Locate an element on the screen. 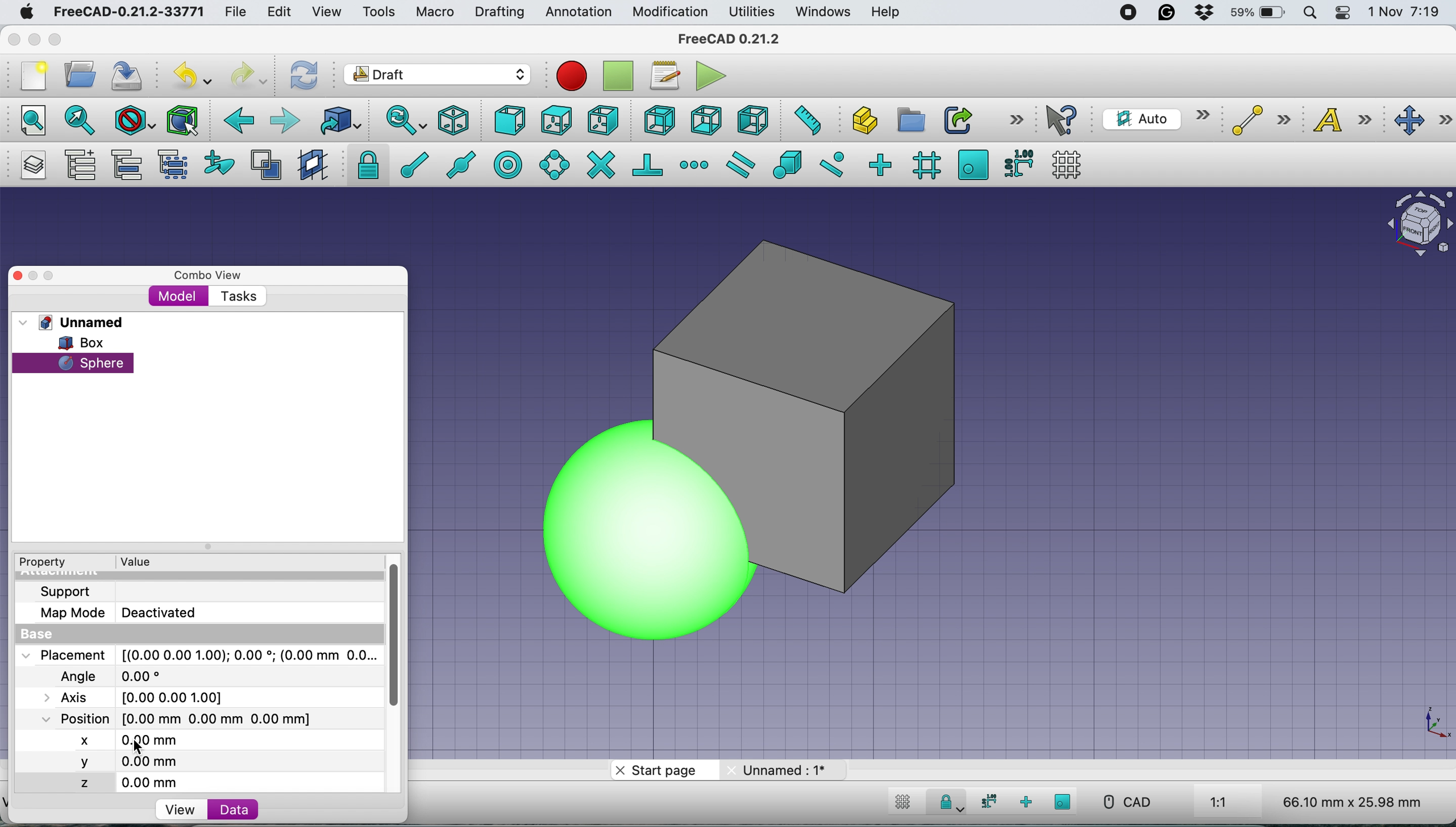 This screenshot has width=1456, height=827. file is located at coordinates (235, 12).